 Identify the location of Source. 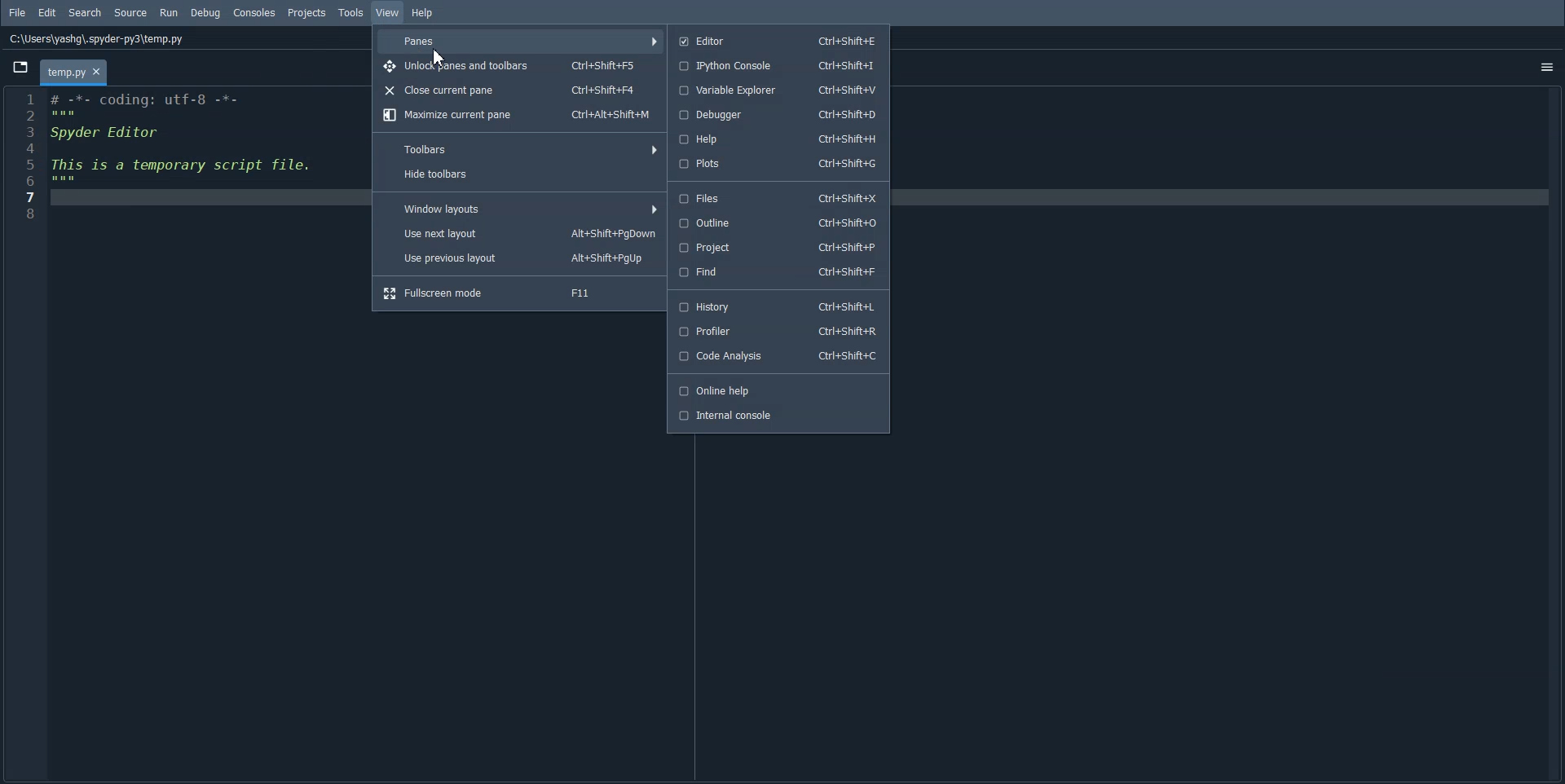
(131, 13).